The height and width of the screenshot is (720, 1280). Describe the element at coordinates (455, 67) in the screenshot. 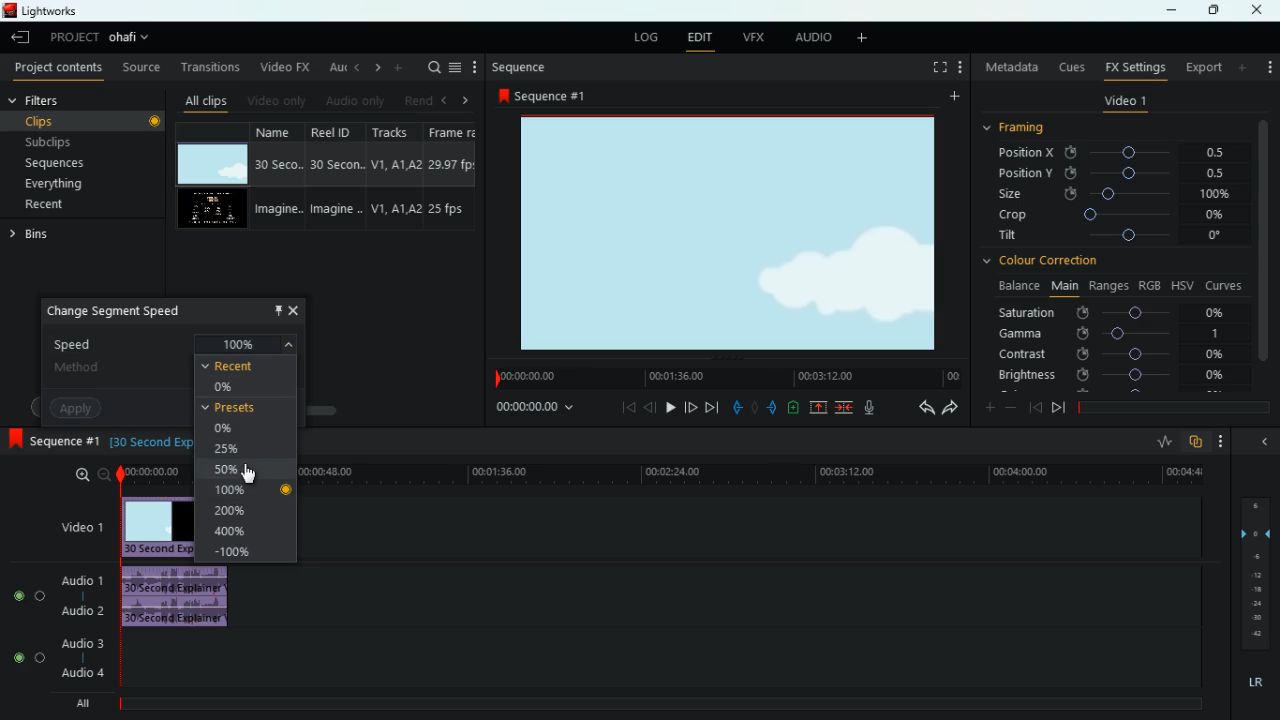

I see `menu` at that location.